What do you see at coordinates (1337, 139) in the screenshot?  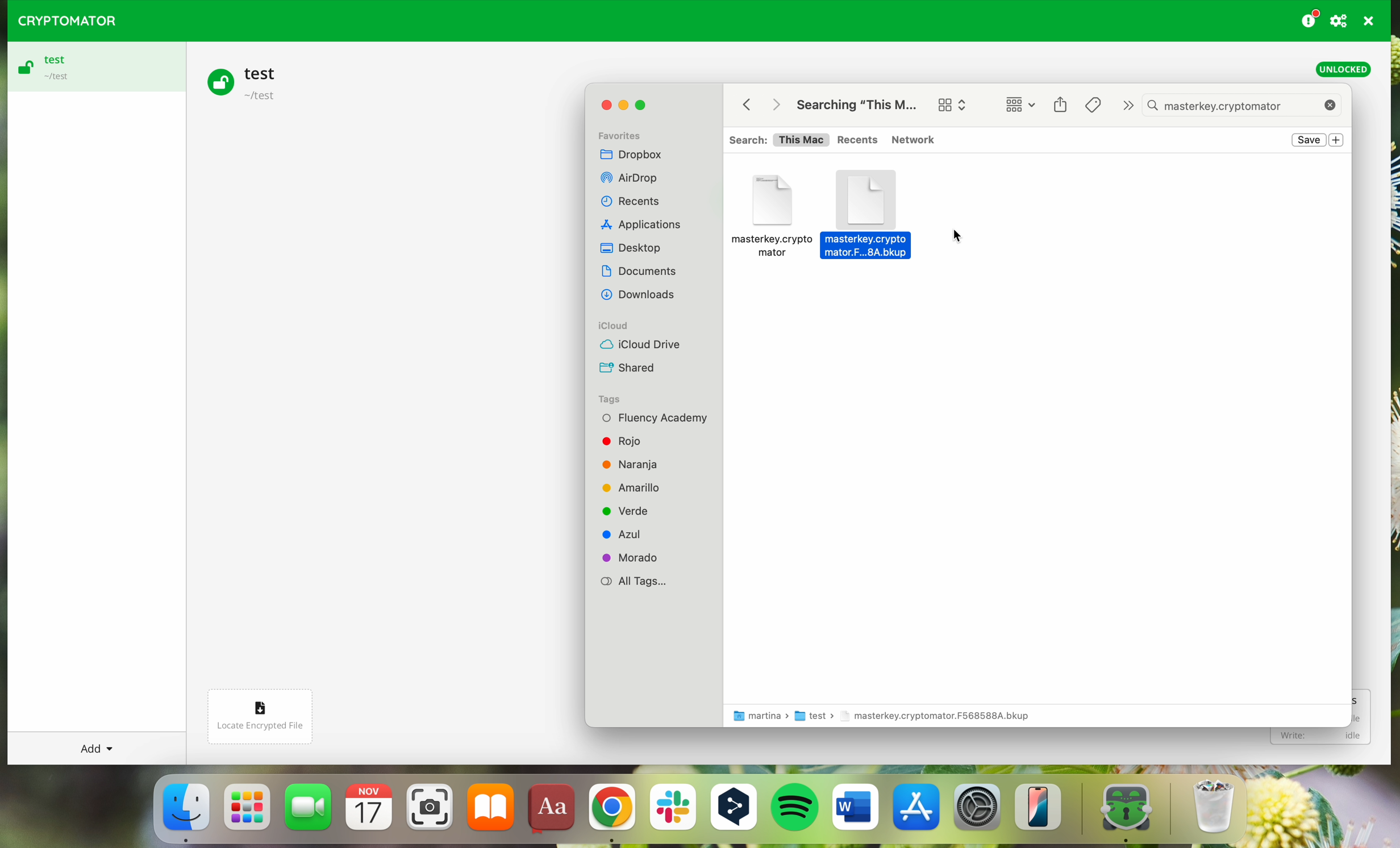 I see `new` at bounding box center [1337, 139].